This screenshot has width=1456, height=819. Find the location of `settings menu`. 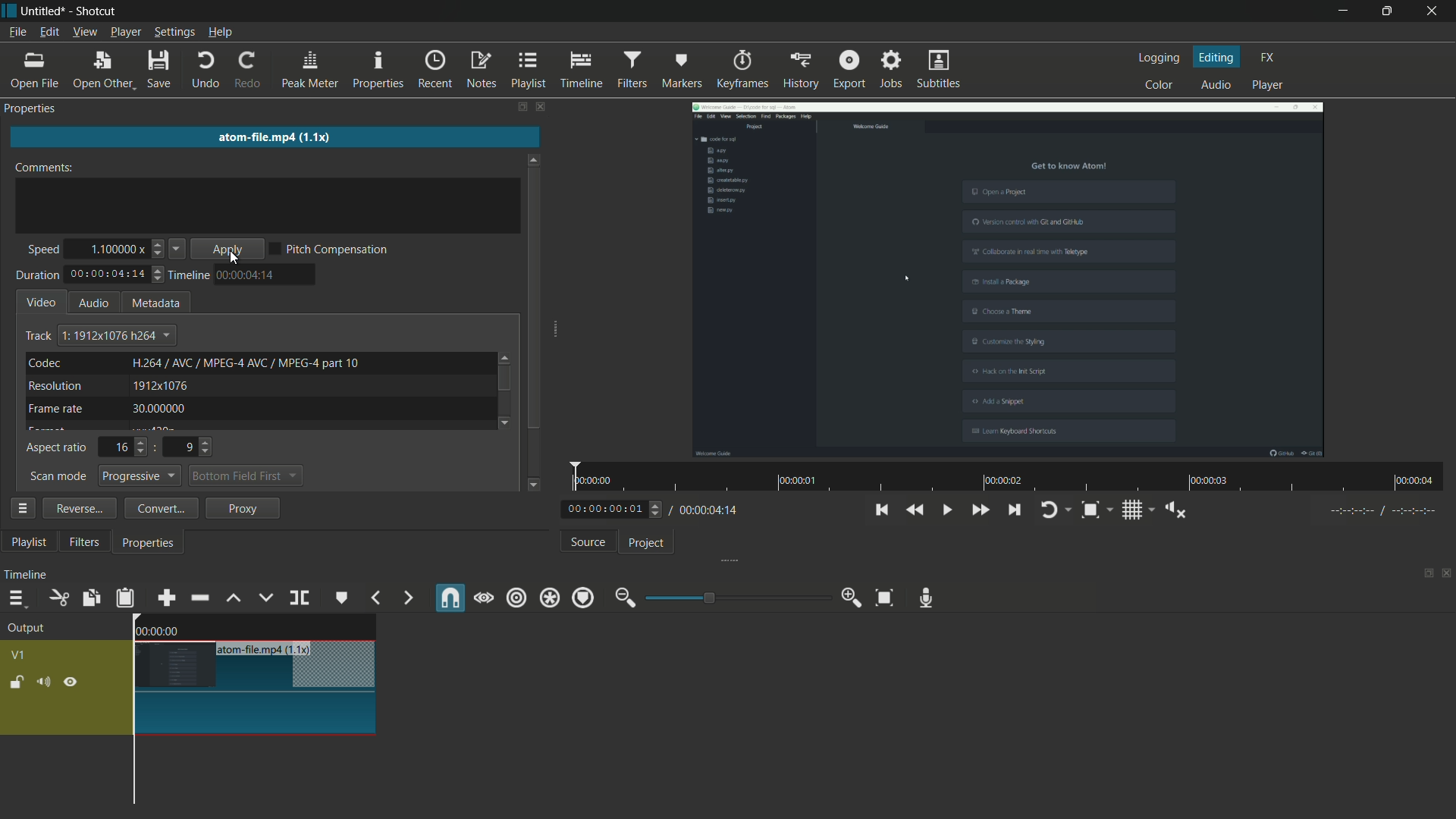

settings menu is located at coordinates (173, 33).